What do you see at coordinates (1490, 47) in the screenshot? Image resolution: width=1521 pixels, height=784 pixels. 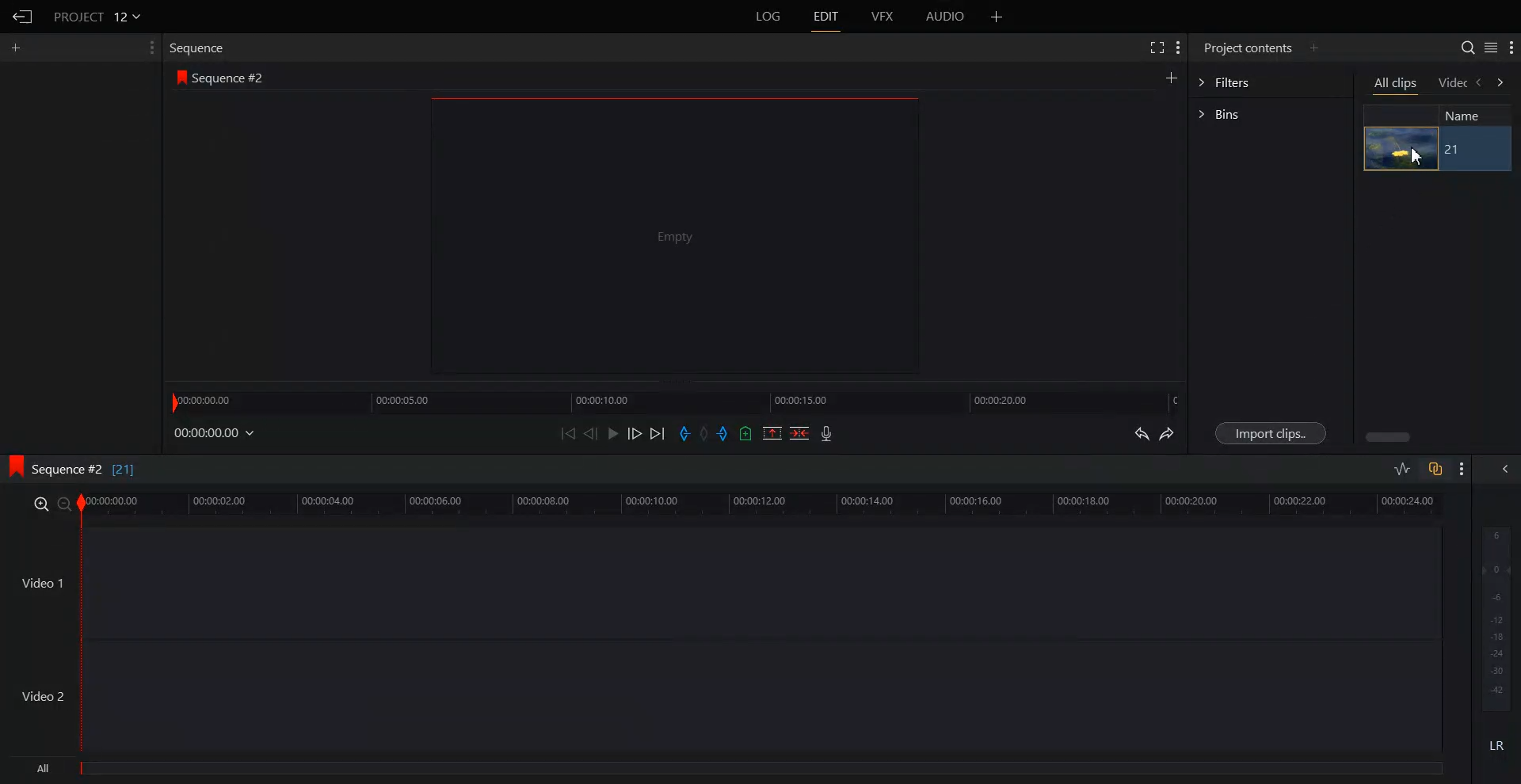 I see `Toggle between list and tile view` at bounding box center [1490, 47].